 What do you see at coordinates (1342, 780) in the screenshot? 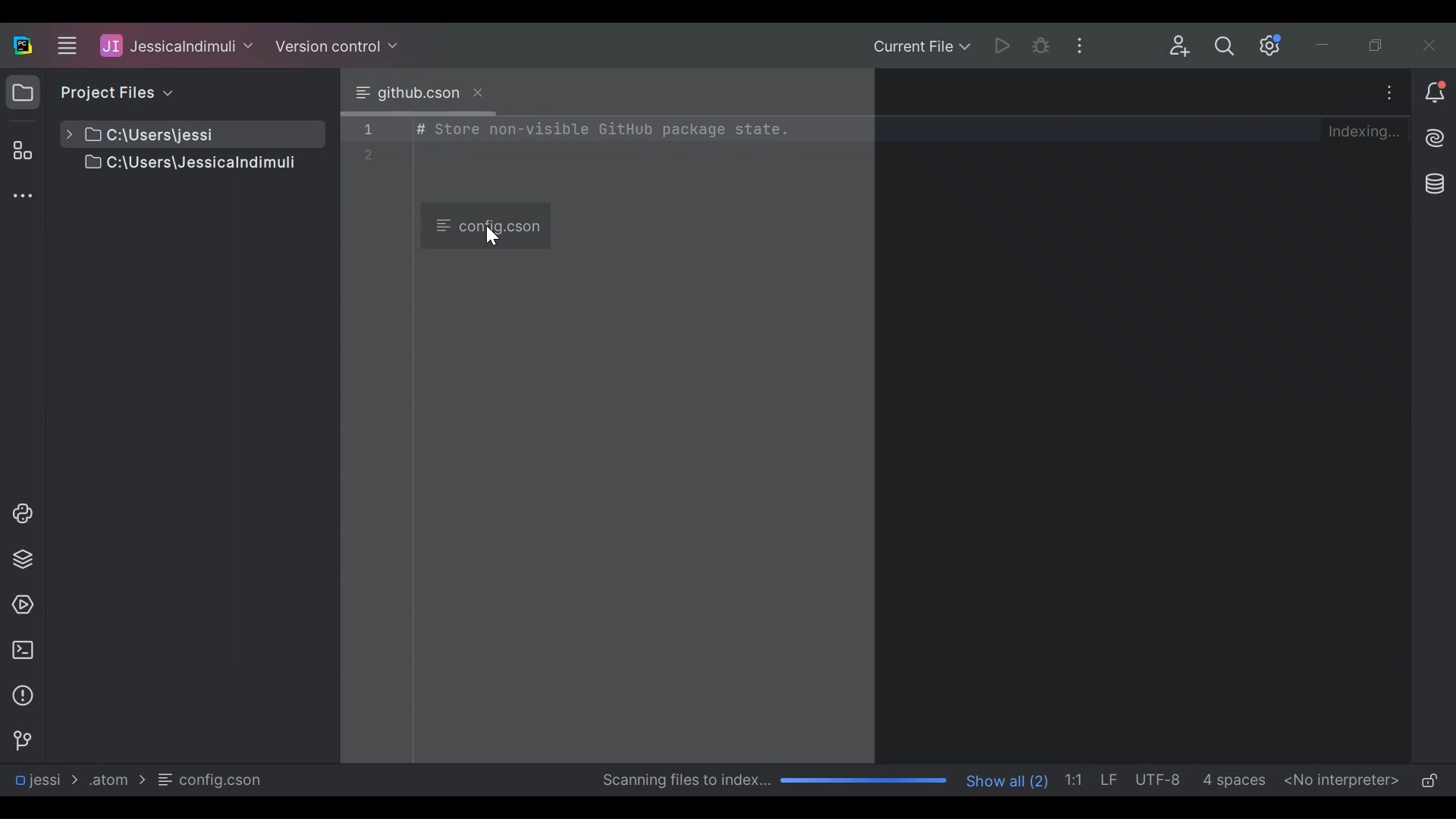
I see `No interpreters` at bounding box center [1342, 780].